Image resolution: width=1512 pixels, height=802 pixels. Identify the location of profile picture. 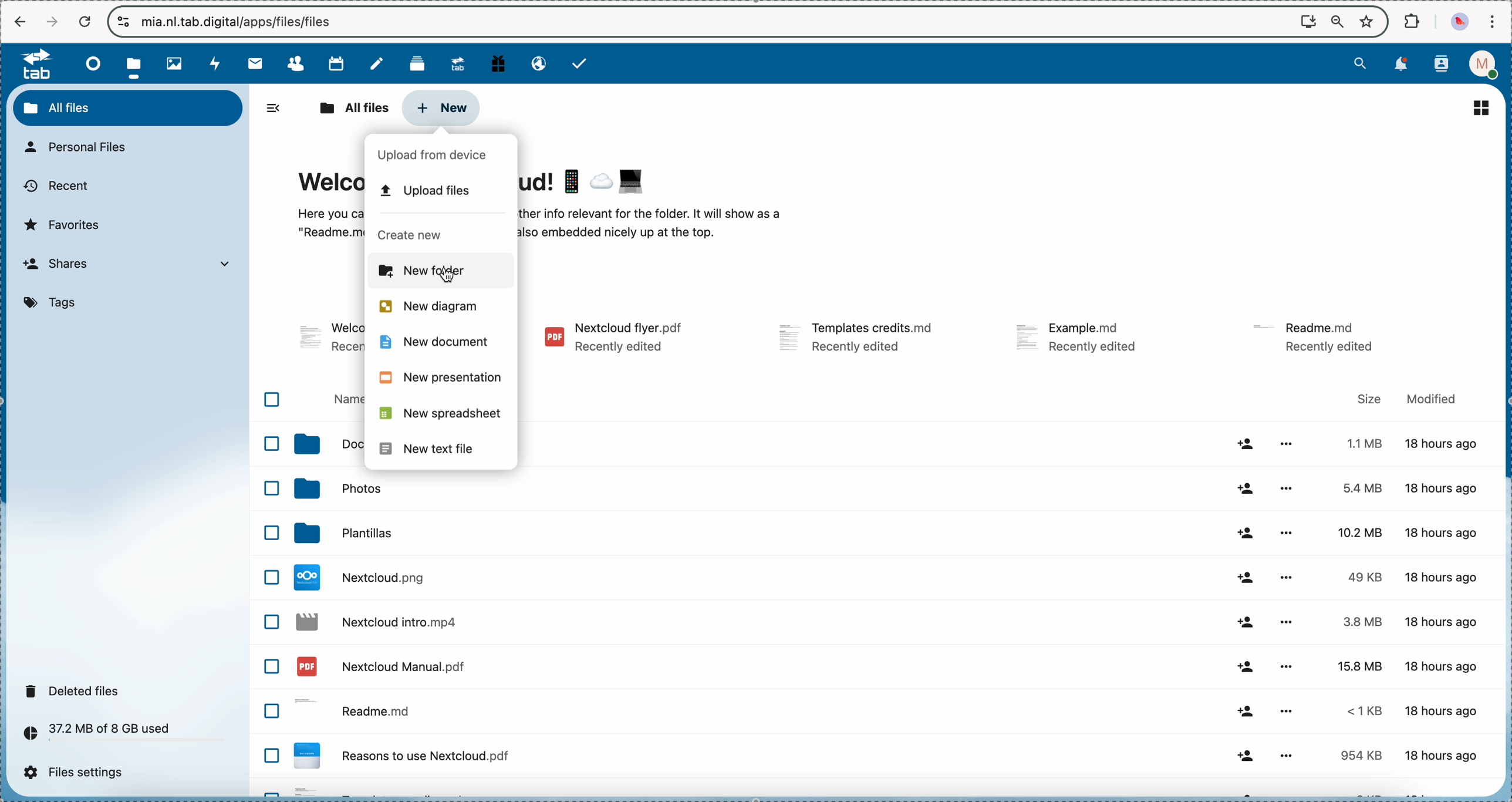
(1462, 22).